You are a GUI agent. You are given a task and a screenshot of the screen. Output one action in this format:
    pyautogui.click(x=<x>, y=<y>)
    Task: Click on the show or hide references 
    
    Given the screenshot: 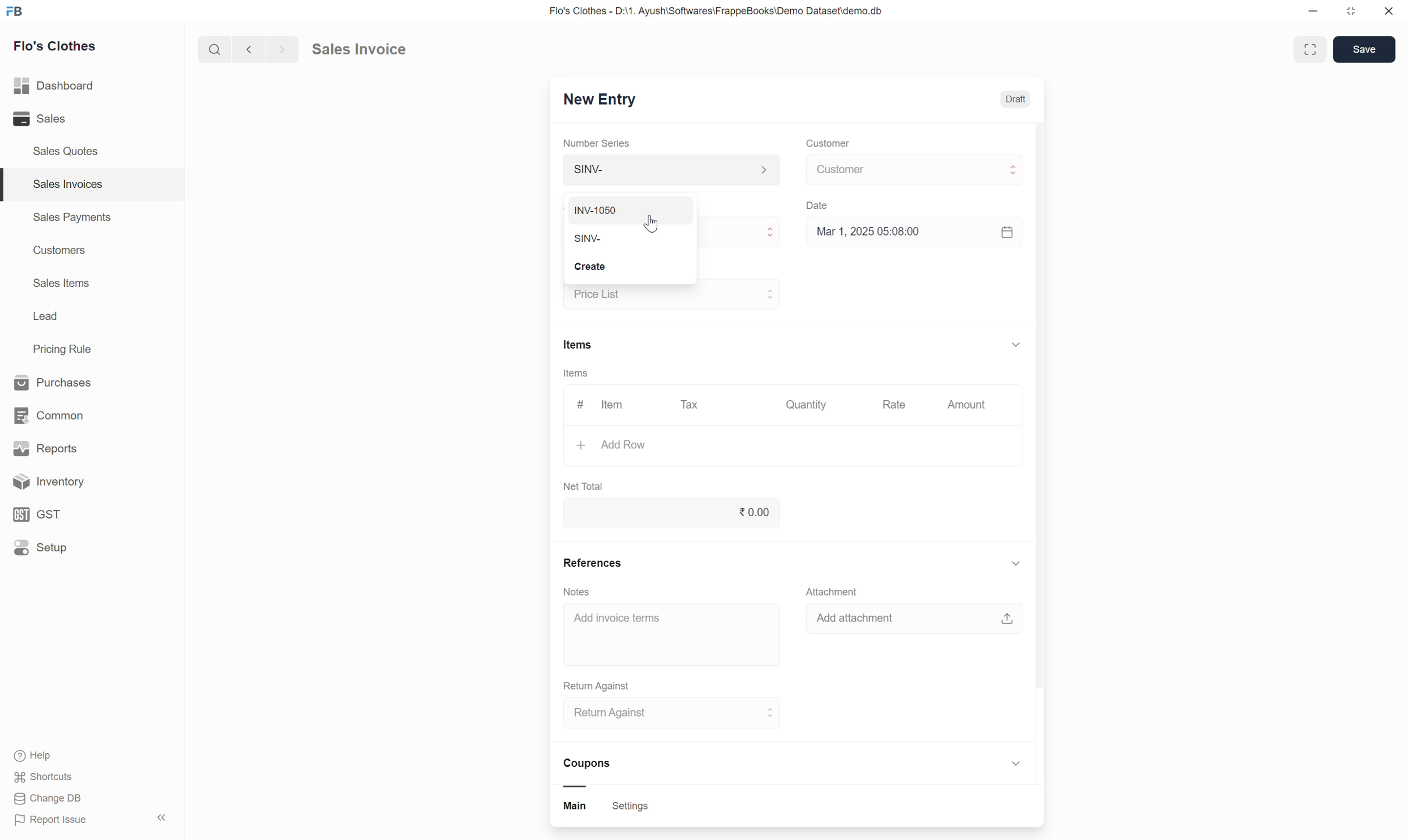 What is the action you would take?
    pyautogui.click(x=1016, y=565)
    